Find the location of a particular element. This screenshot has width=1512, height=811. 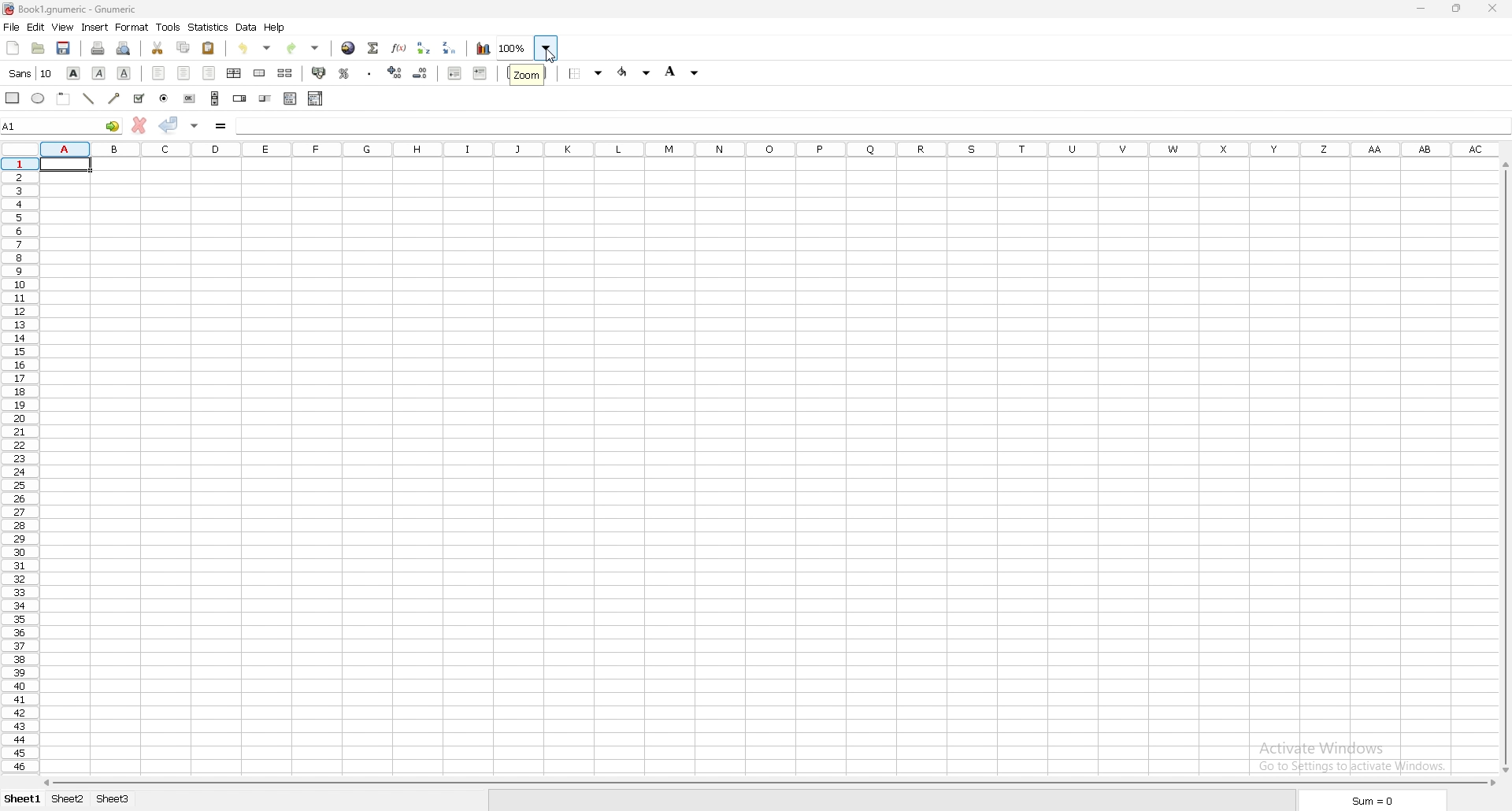

foreground is located at coordinates (625, 72).